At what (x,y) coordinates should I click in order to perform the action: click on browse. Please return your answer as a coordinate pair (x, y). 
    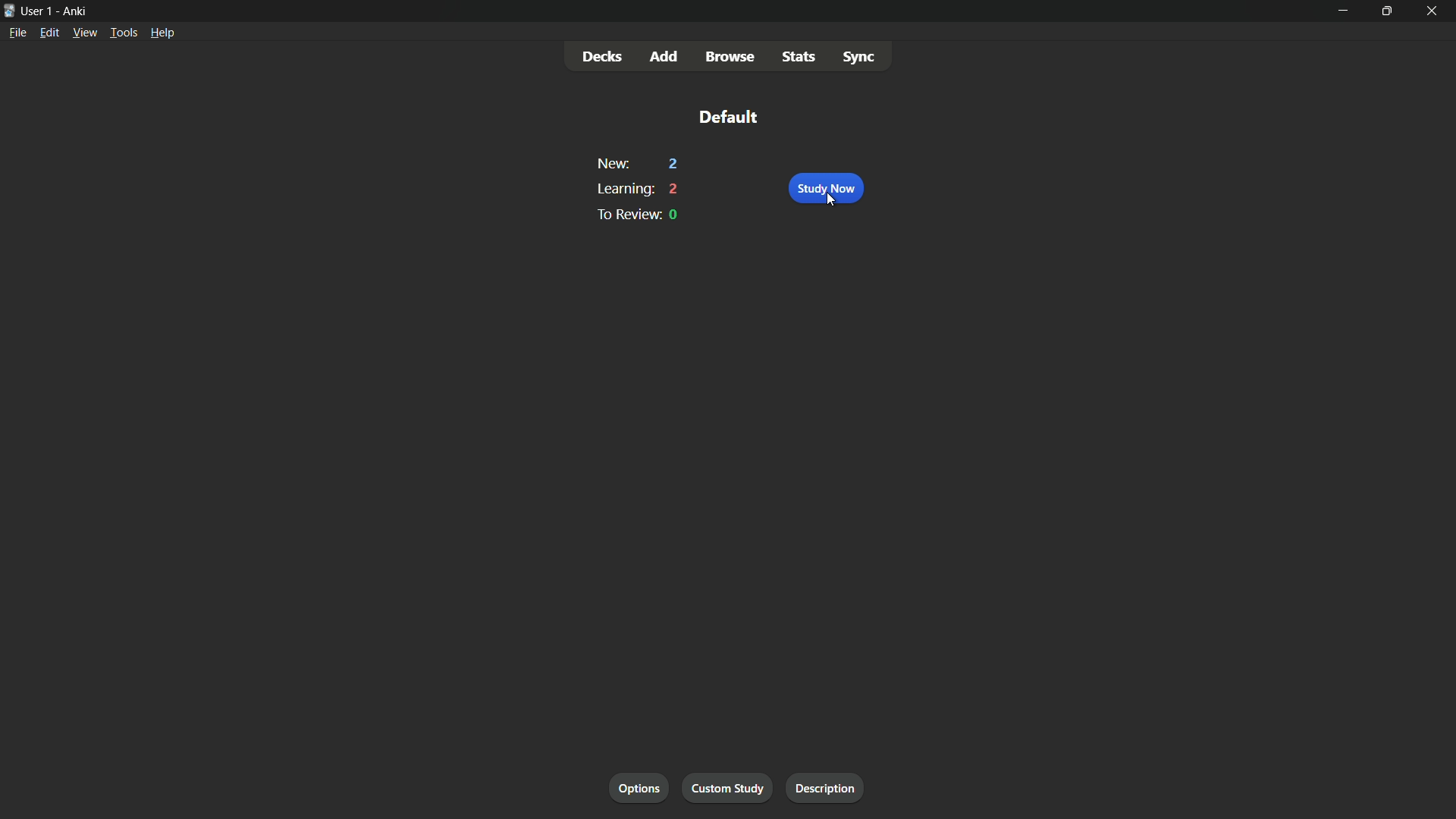
    Looking at the image, I should click on (730, 56).